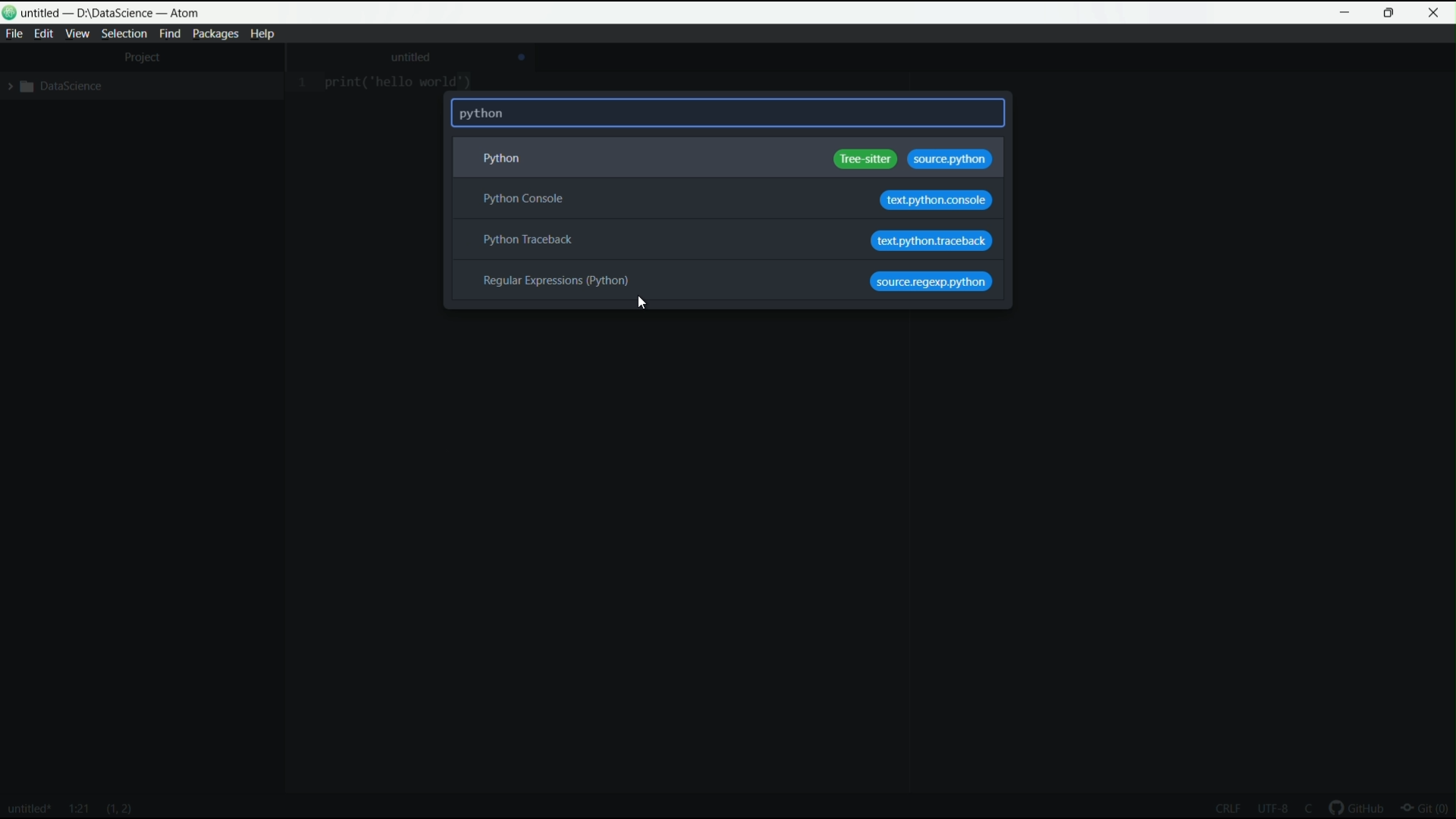 The image size is (1456, 819). What do you see at coordinates (171, 34) in the screenshot?
I see `find menu` at bounding box center [171, 34].